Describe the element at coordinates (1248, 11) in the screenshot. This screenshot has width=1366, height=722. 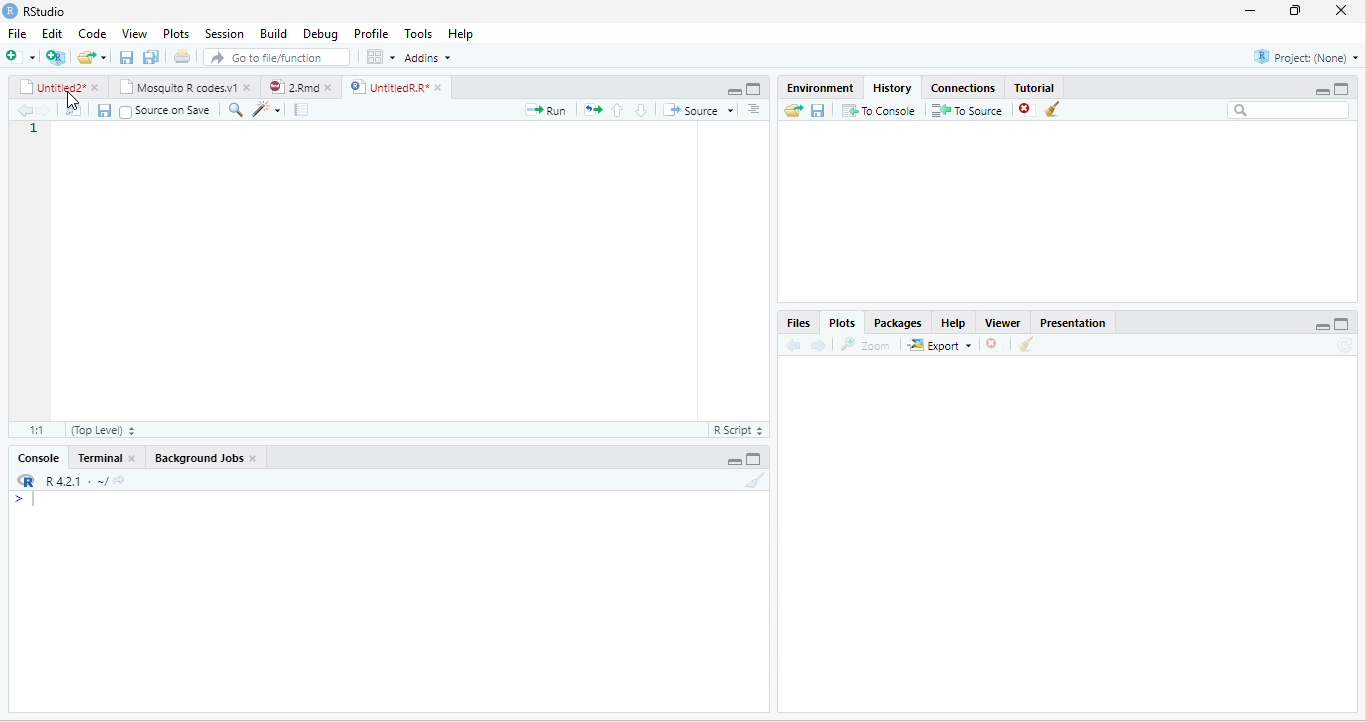
I see `minimize` at that location.